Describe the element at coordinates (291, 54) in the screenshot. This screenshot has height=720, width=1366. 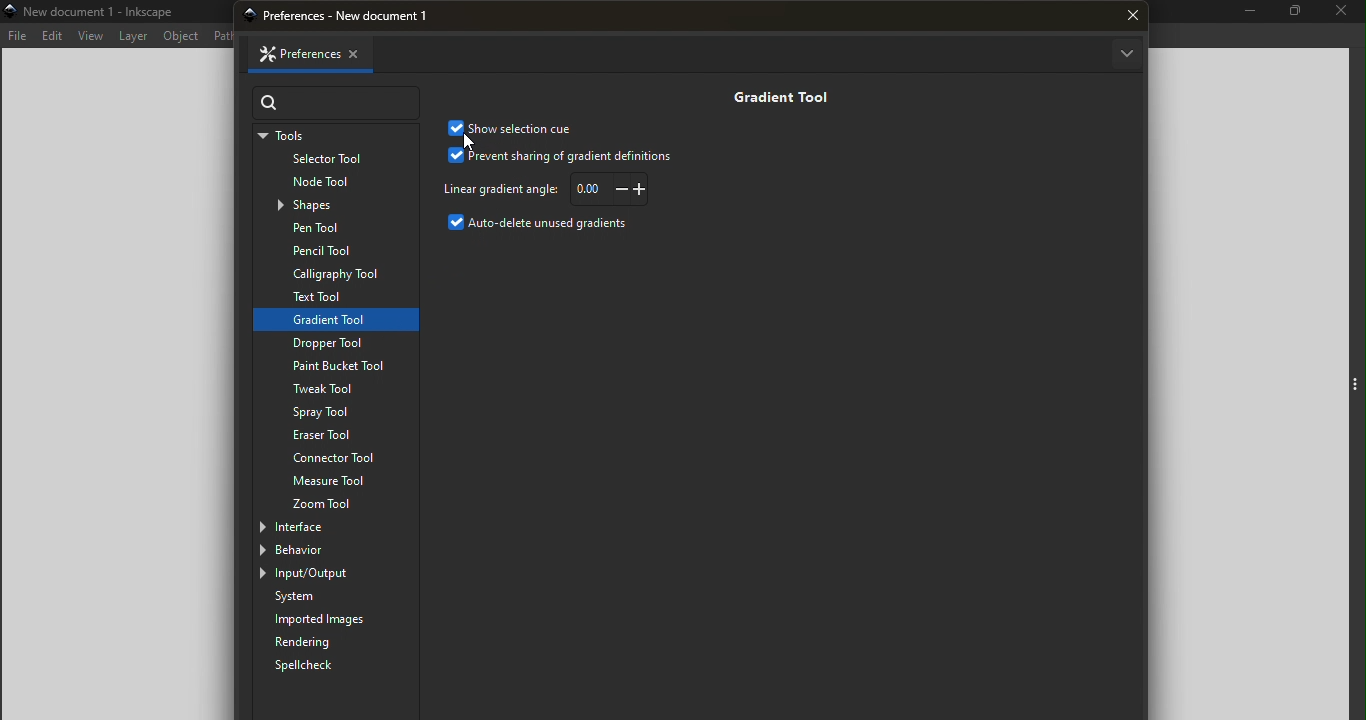
I see `Preferences` at that location.